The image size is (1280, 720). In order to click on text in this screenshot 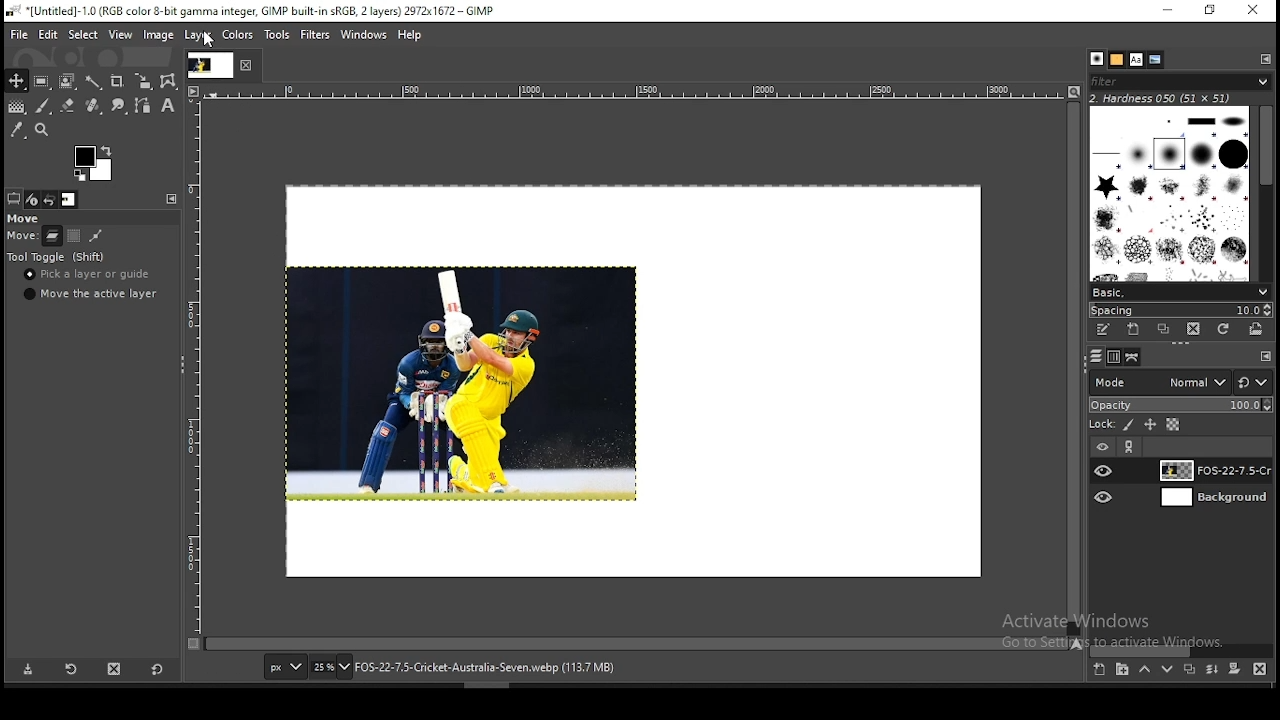, I will do `click(1162, 97)`.